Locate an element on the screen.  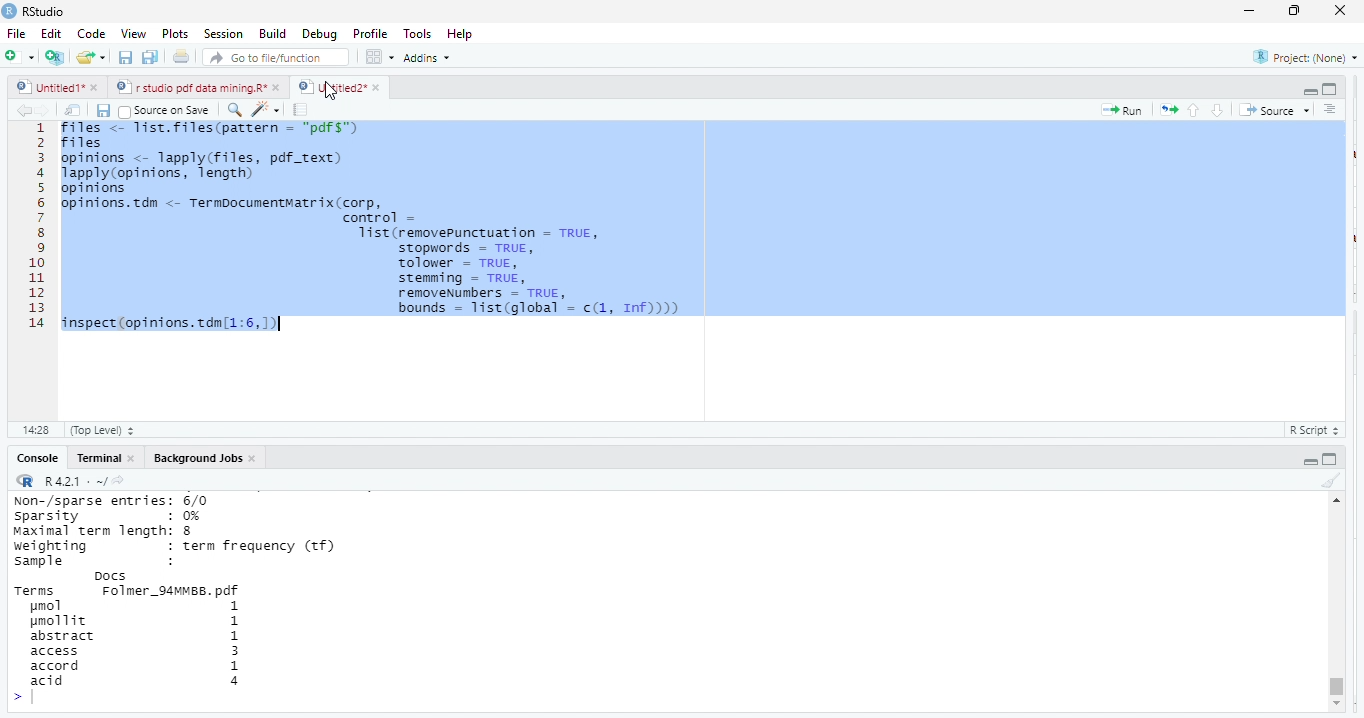
addins is located at coordinates (432, 57).